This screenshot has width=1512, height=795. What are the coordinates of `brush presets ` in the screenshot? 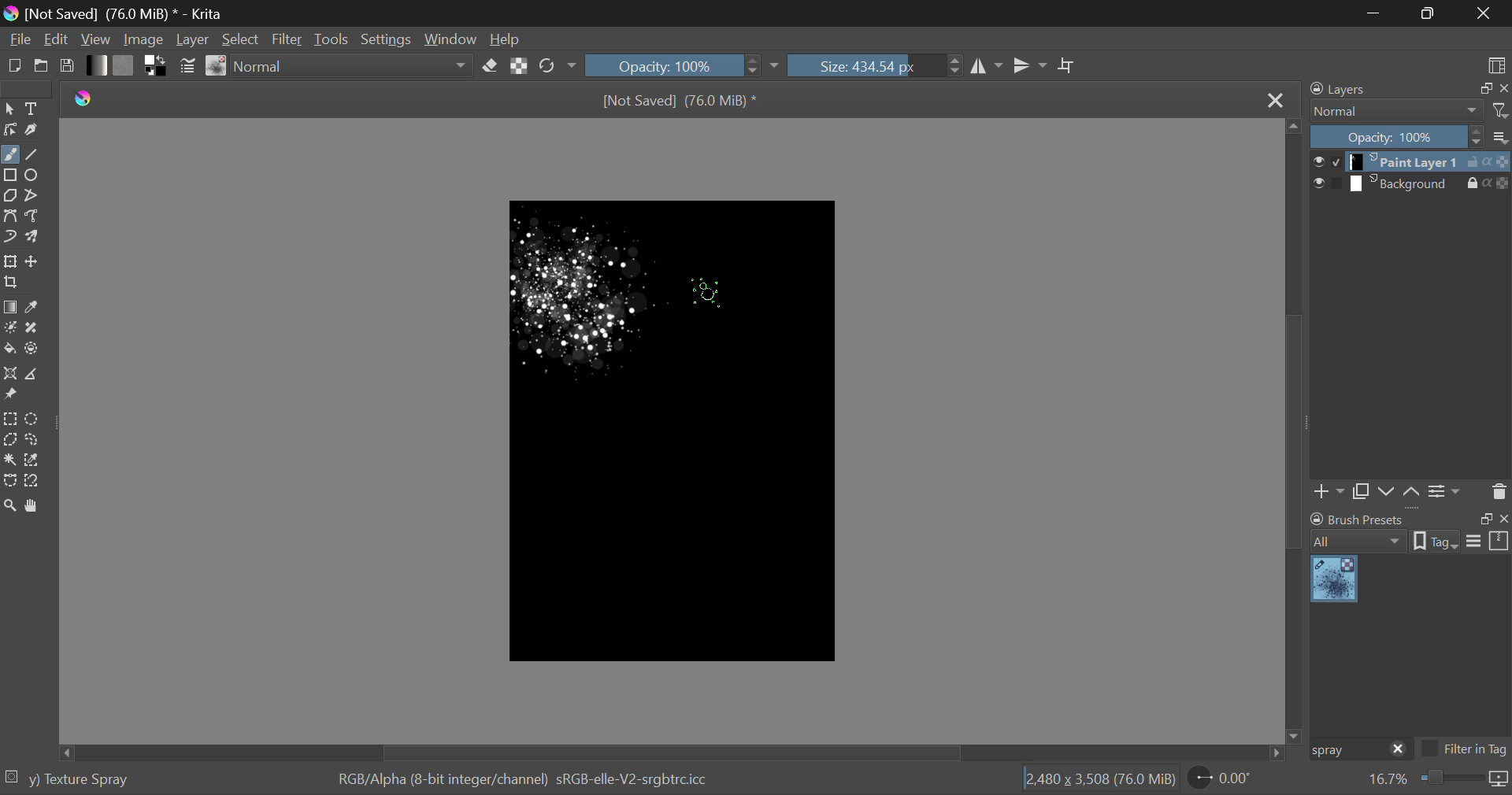 It's located at (1358, 519).